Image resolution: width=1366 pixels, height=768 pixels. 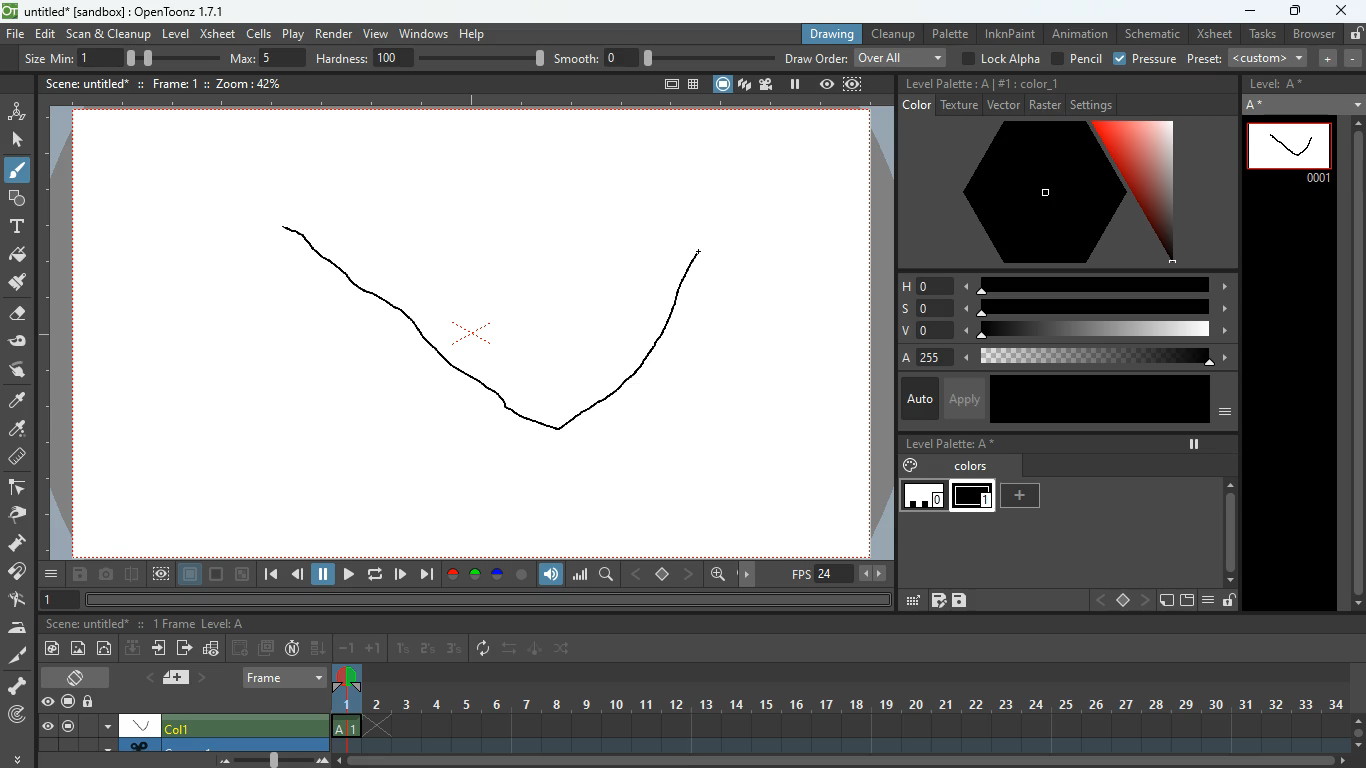 I want to click on iron, so click(x=17, y=627).